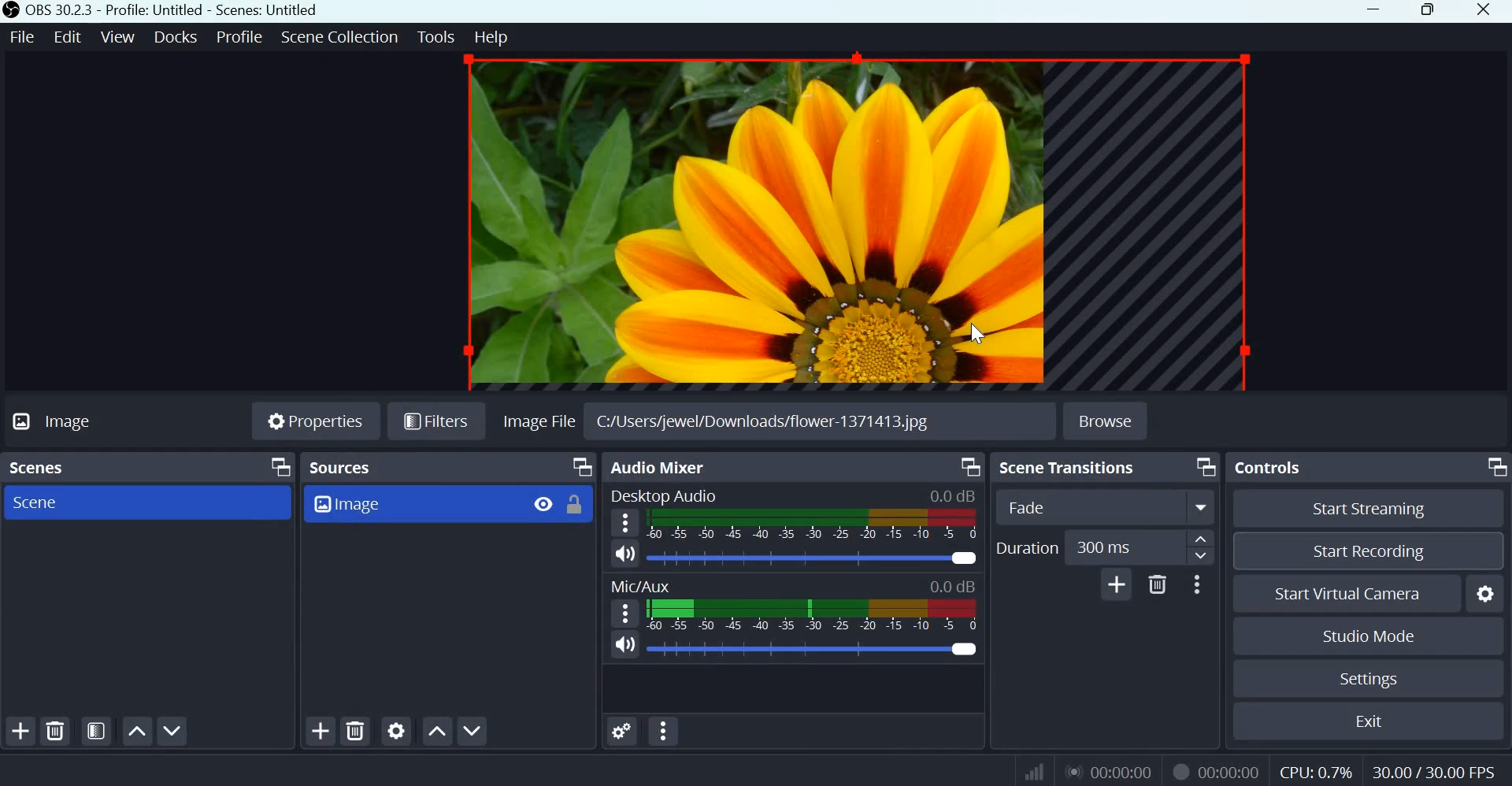  What do you see at coordinates (1196, 584) in the screenshot?
I see `More Options ` at bounding box center [1196, 584].